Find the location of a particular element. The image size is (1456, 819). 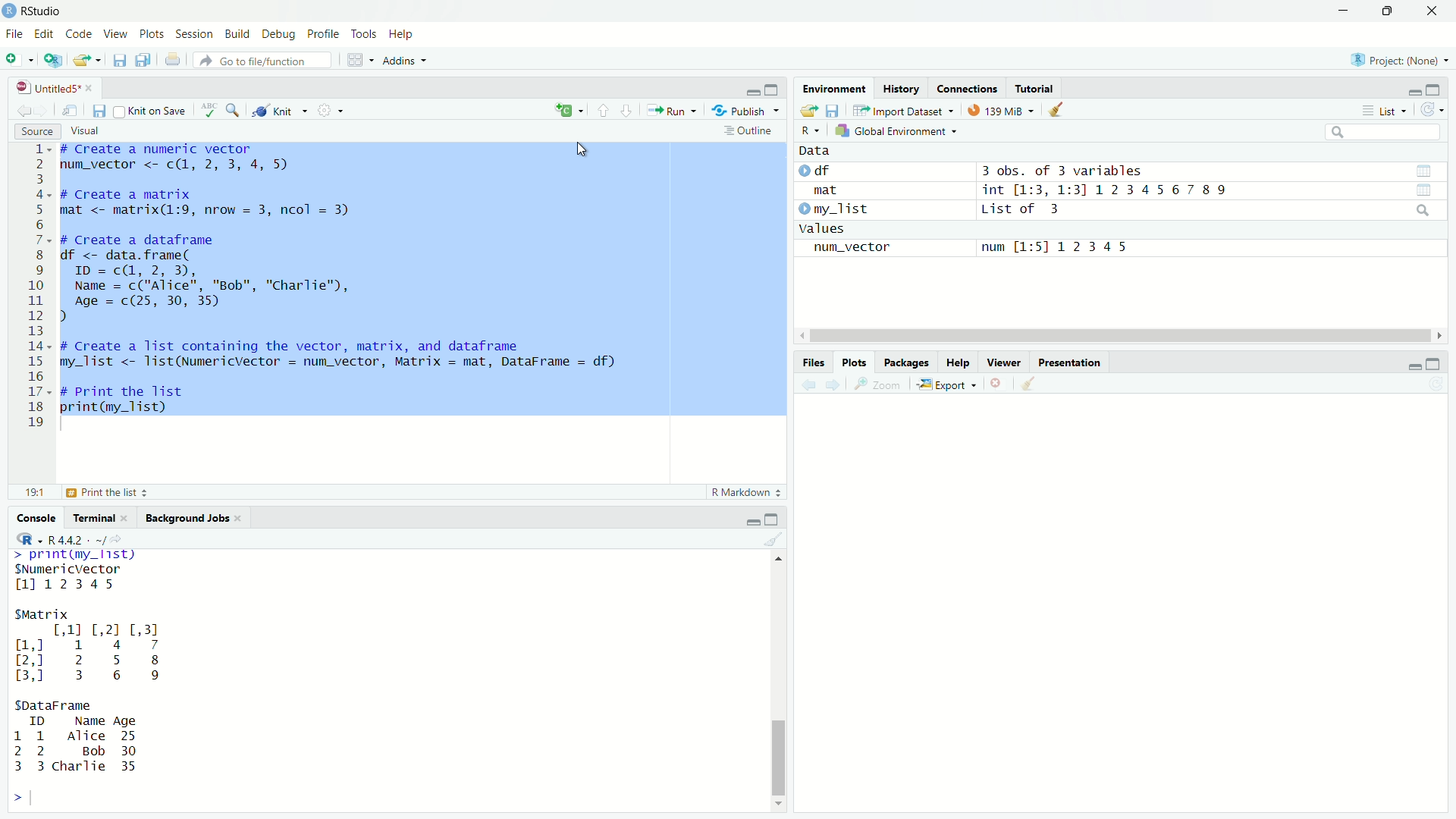

view is located at coordinates (1423, 189).